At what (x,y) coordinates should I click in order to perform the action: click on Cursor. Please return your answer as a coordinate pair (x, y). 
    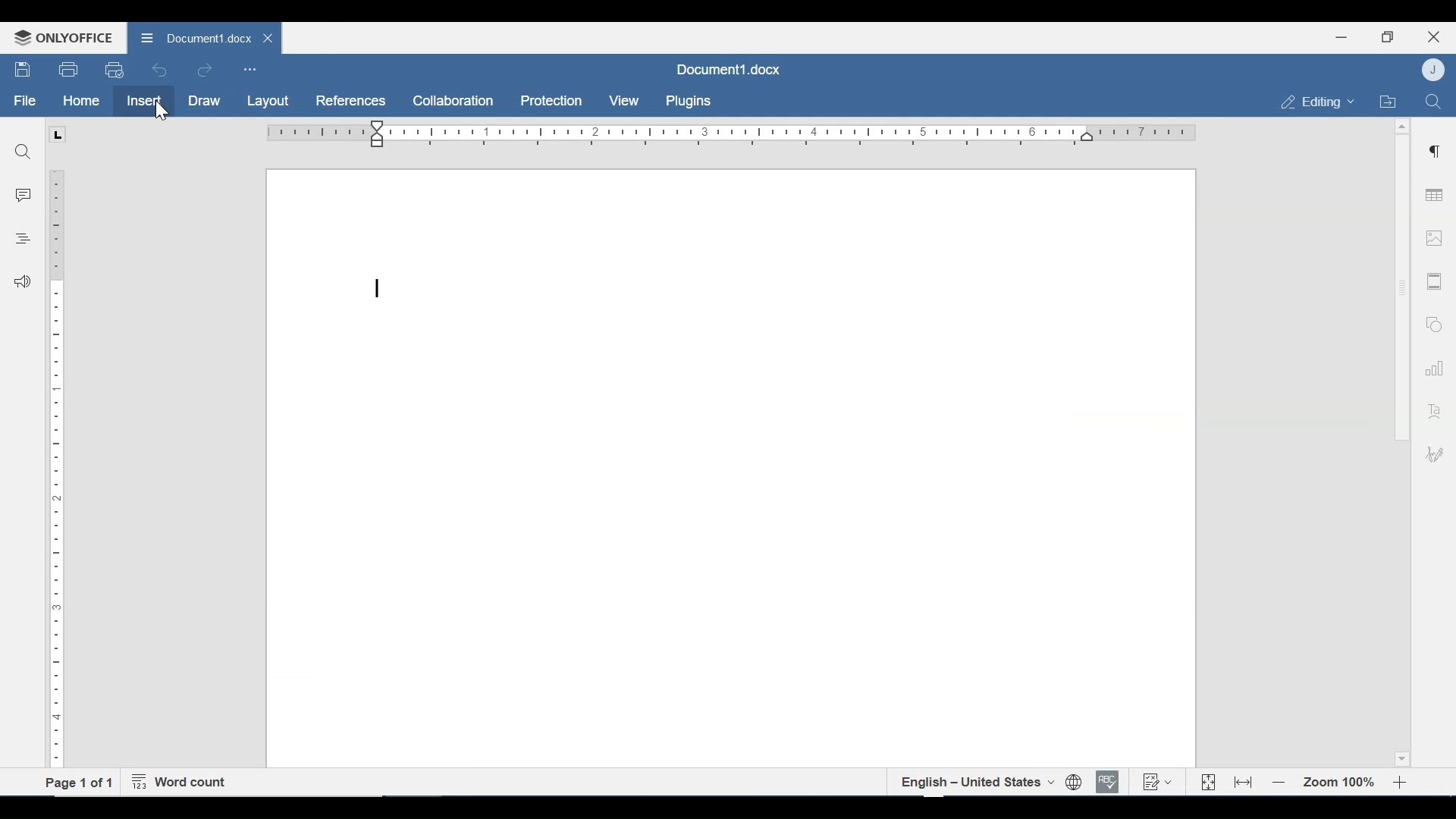
    Looking at the image, I should click on (162, 114).